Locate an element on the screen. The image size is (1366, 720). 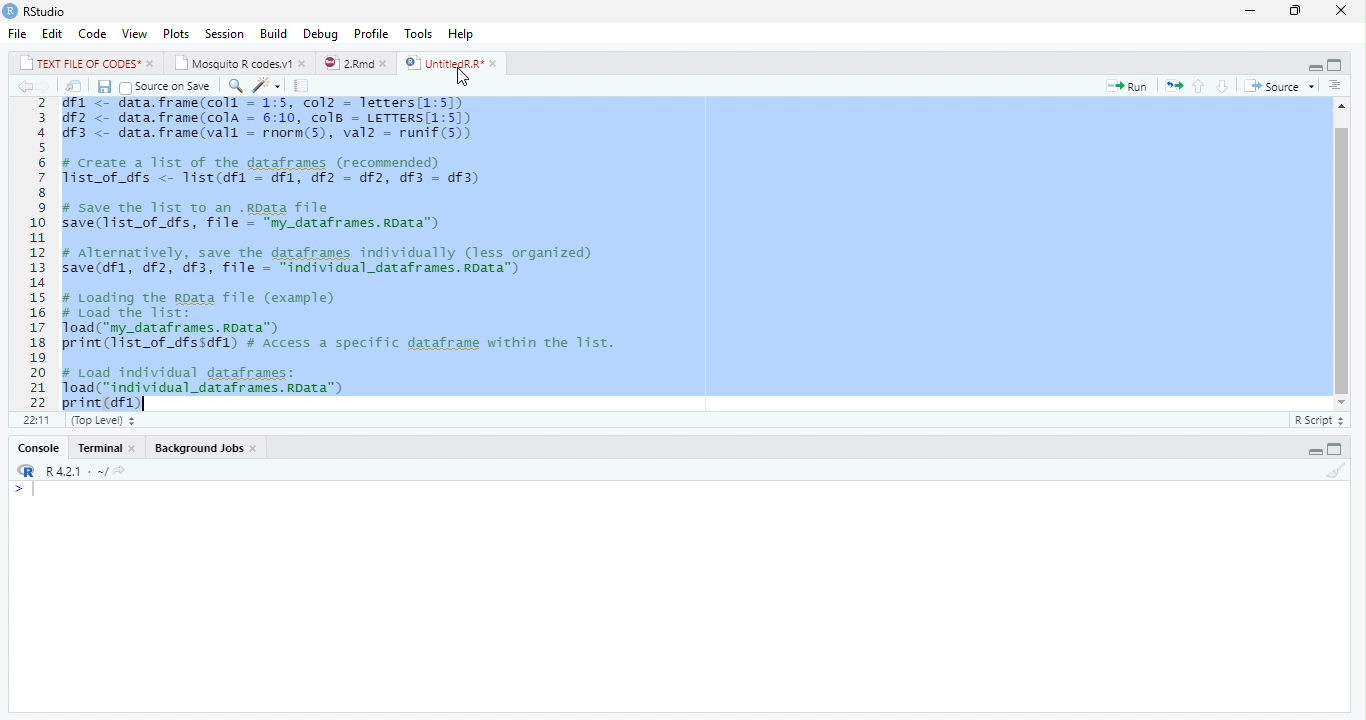
UntitiedR.R is located at coordinates (453, 63).